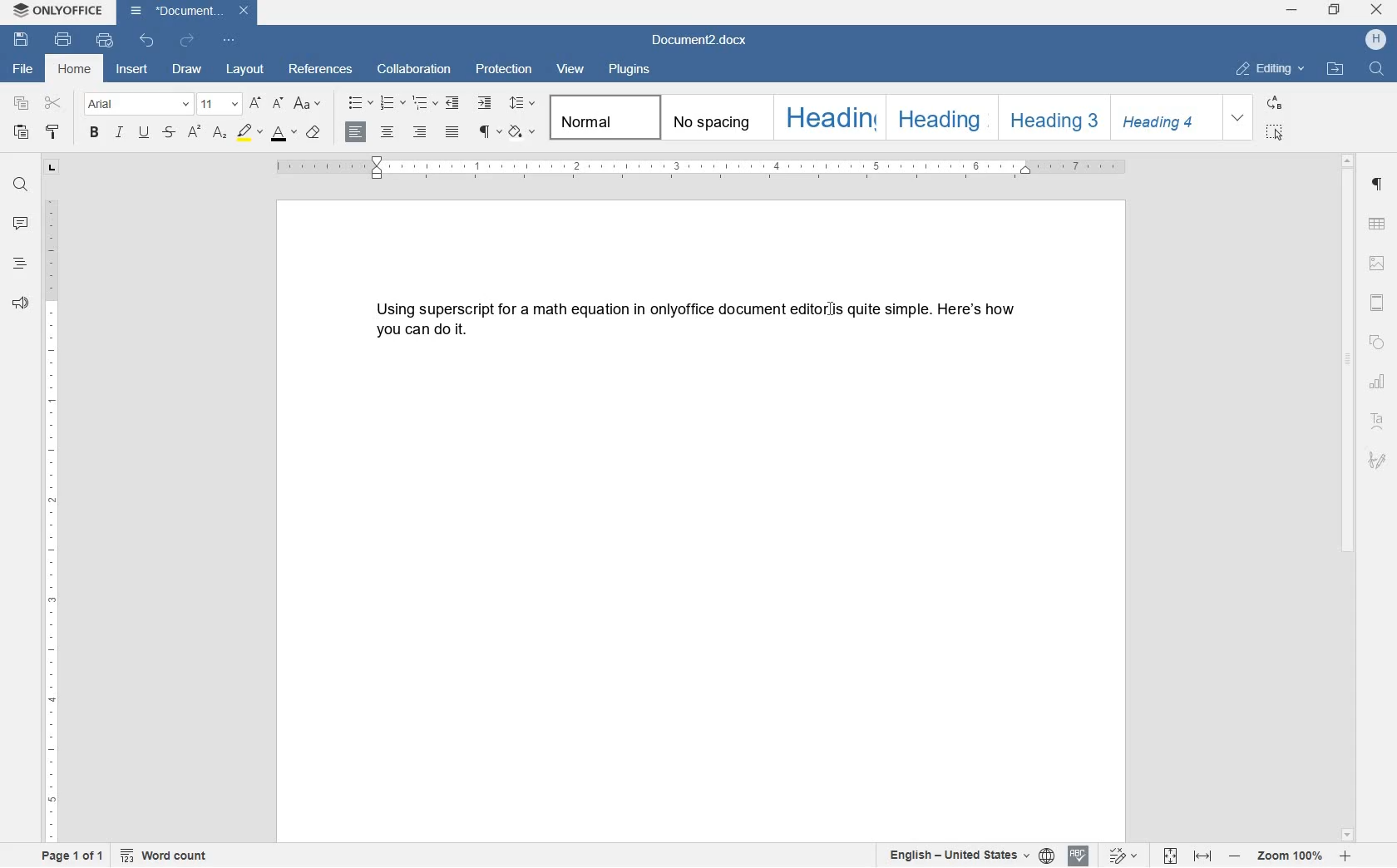  What do you see at coordinates (1375, 69) in the screenshot?
I see `FIND` at bounding box center [1375, 69].